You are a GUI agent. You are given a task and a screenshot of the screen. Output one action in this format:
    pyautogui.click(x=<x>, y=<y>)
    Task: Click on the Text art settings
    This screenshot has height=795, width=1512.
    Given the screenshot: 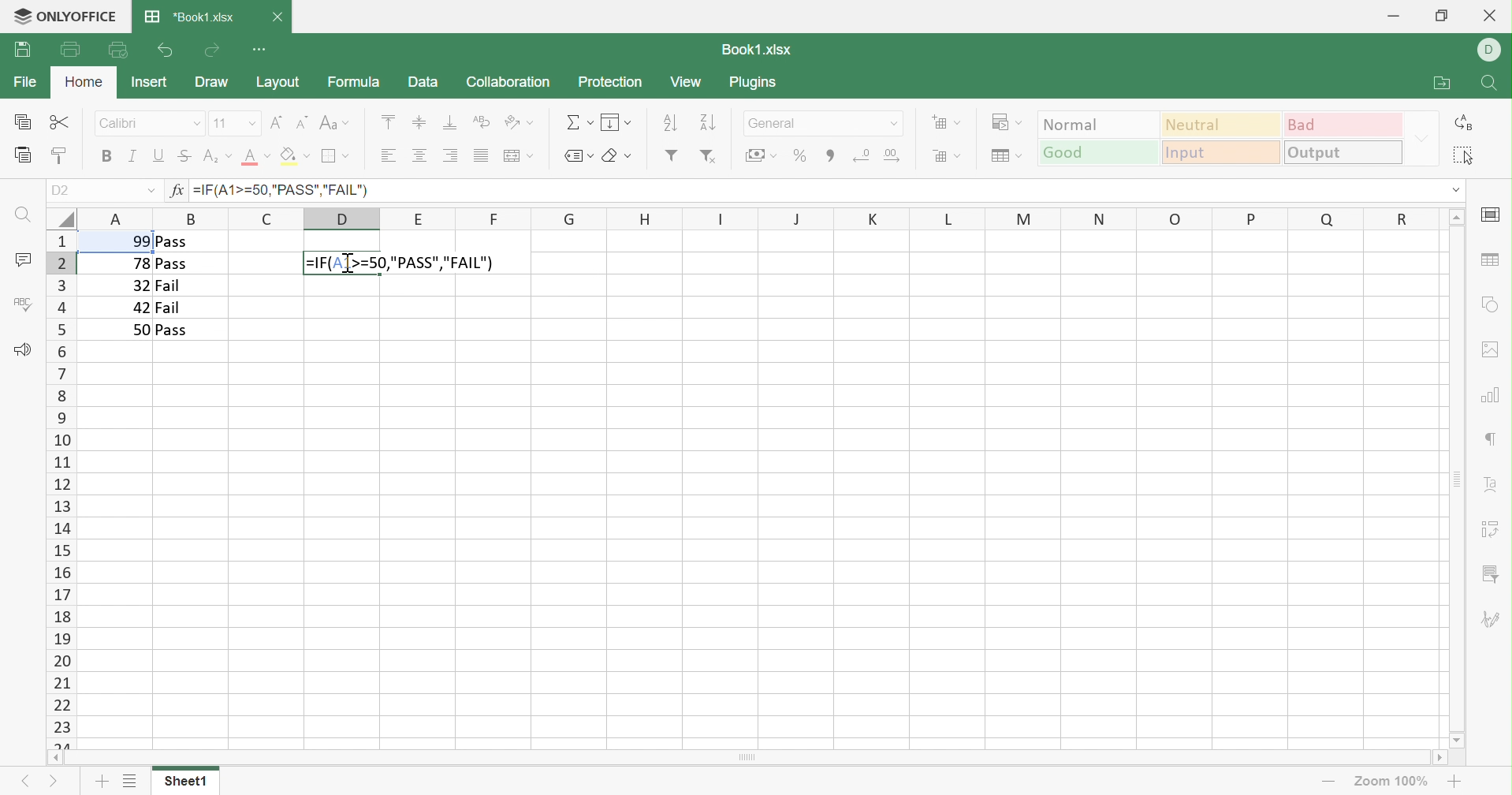 What is the action you would take?
    pyautogui.click(x=1492, y=484)
    